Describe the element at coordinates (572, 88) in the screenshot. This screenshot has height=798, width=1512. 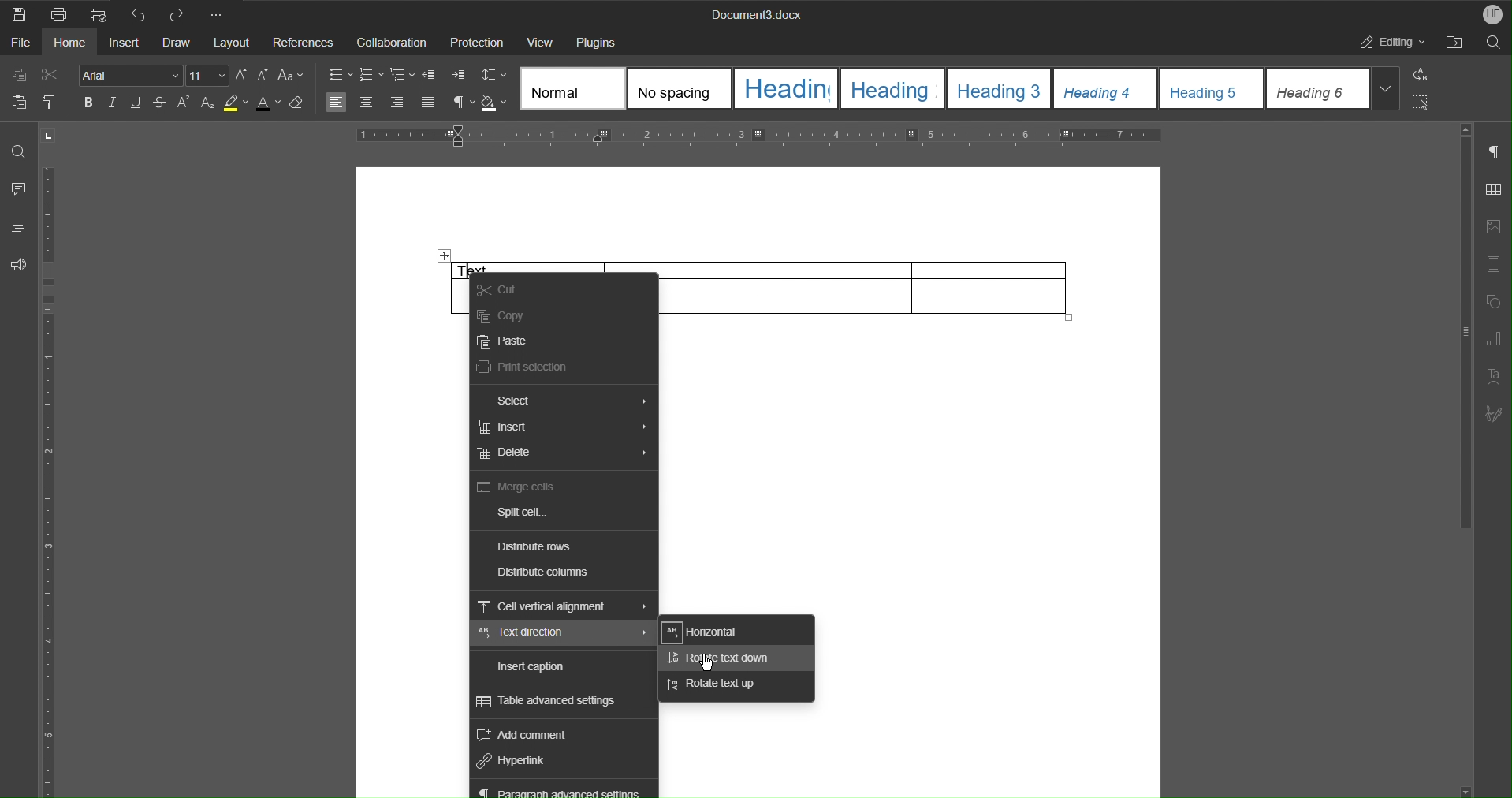
I see `Normal` at that location.